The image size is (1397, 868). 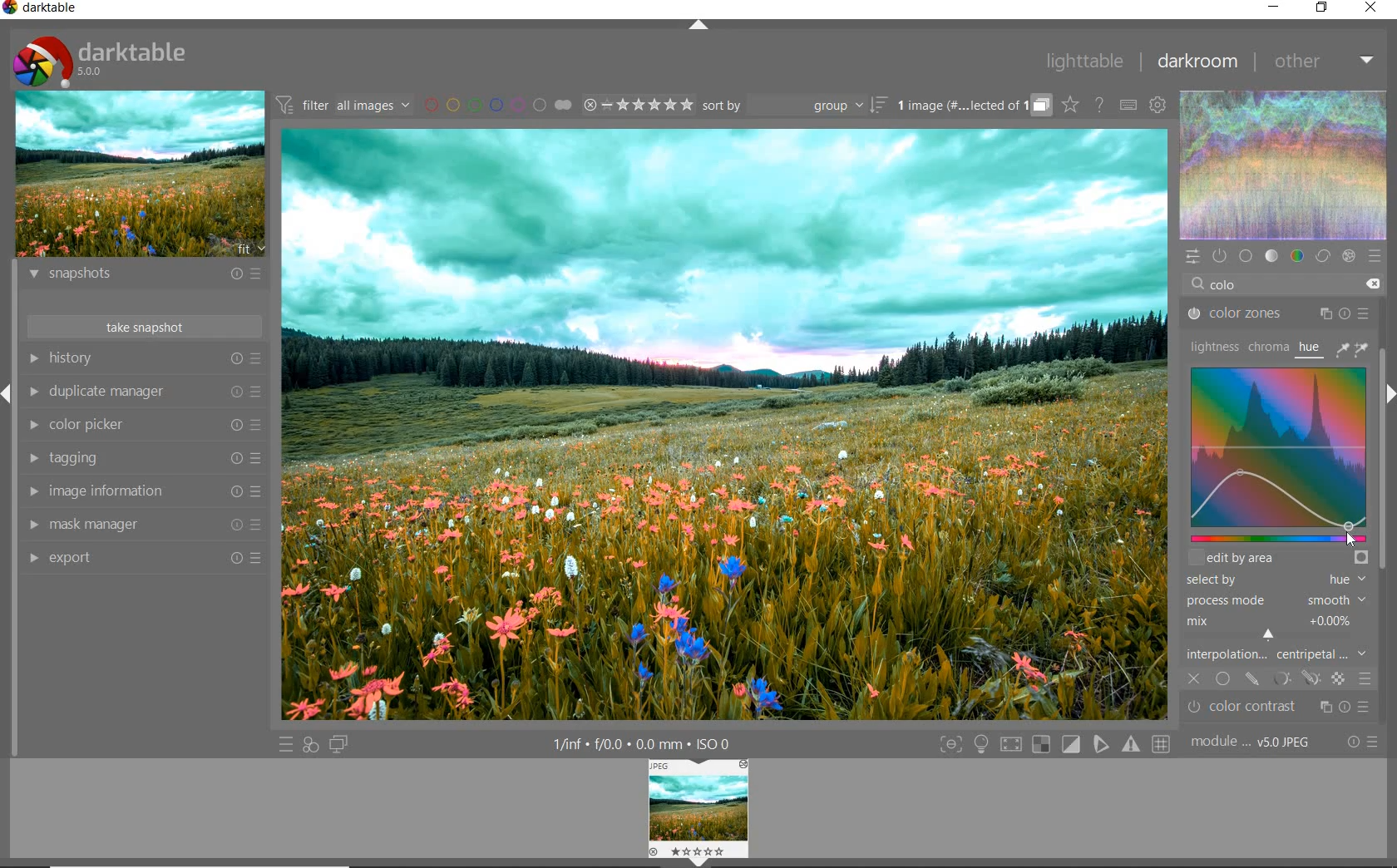 I want to click on slider, so click(x=1276, y=538).